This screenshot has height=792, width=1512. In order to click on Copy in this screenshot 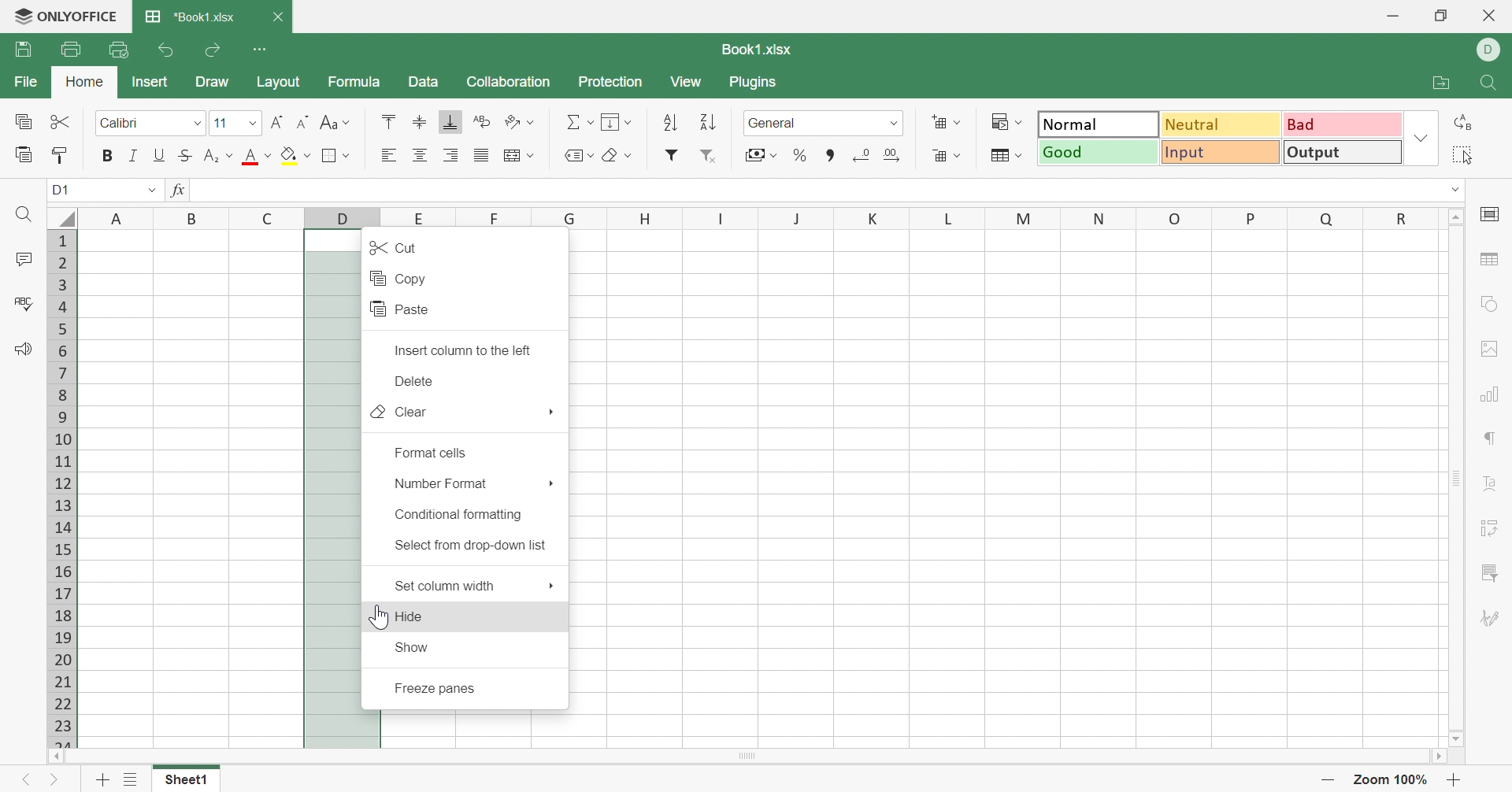, I will do `click(402, 278)`.